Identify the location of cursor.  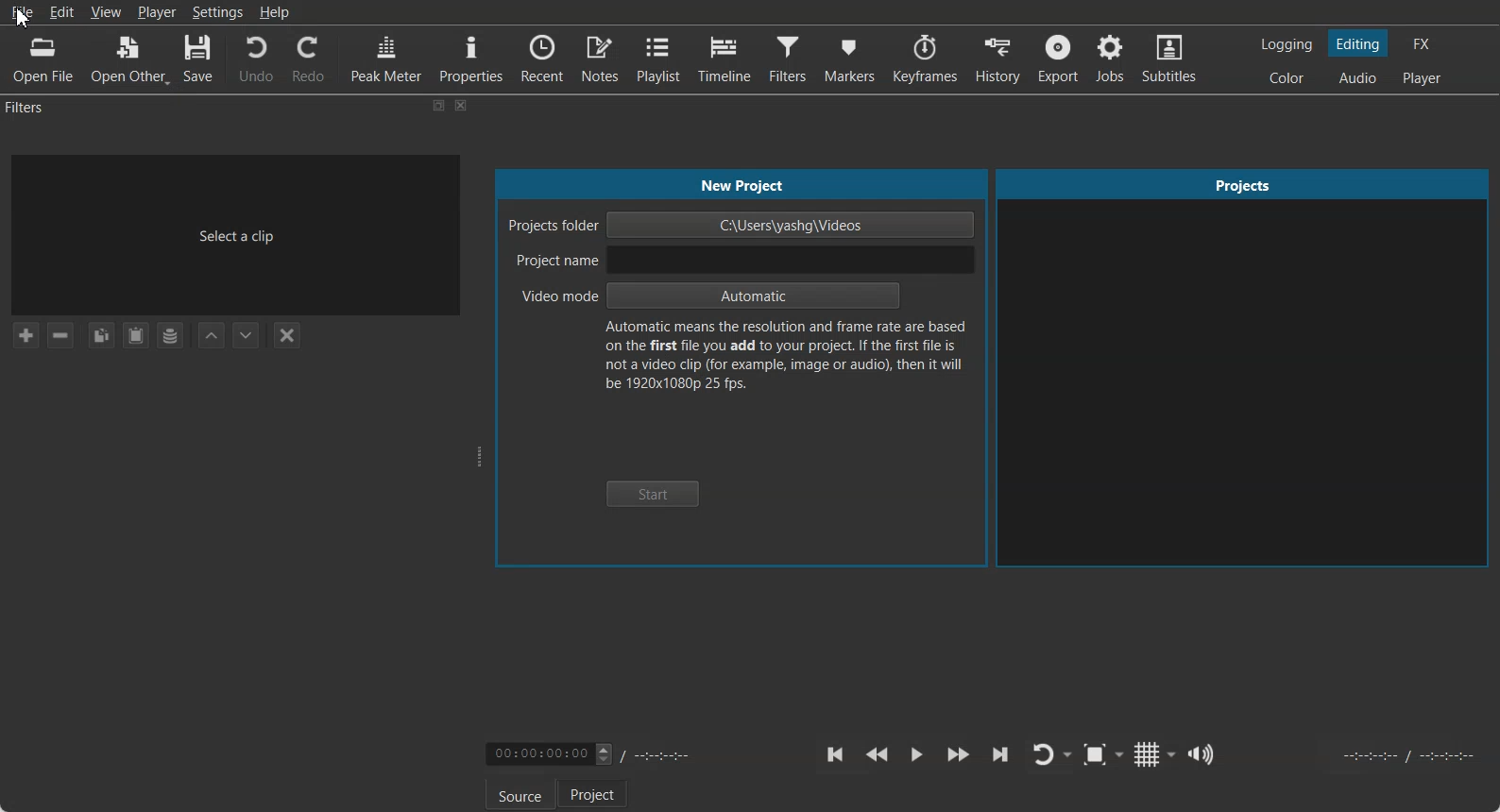
(23, 21).